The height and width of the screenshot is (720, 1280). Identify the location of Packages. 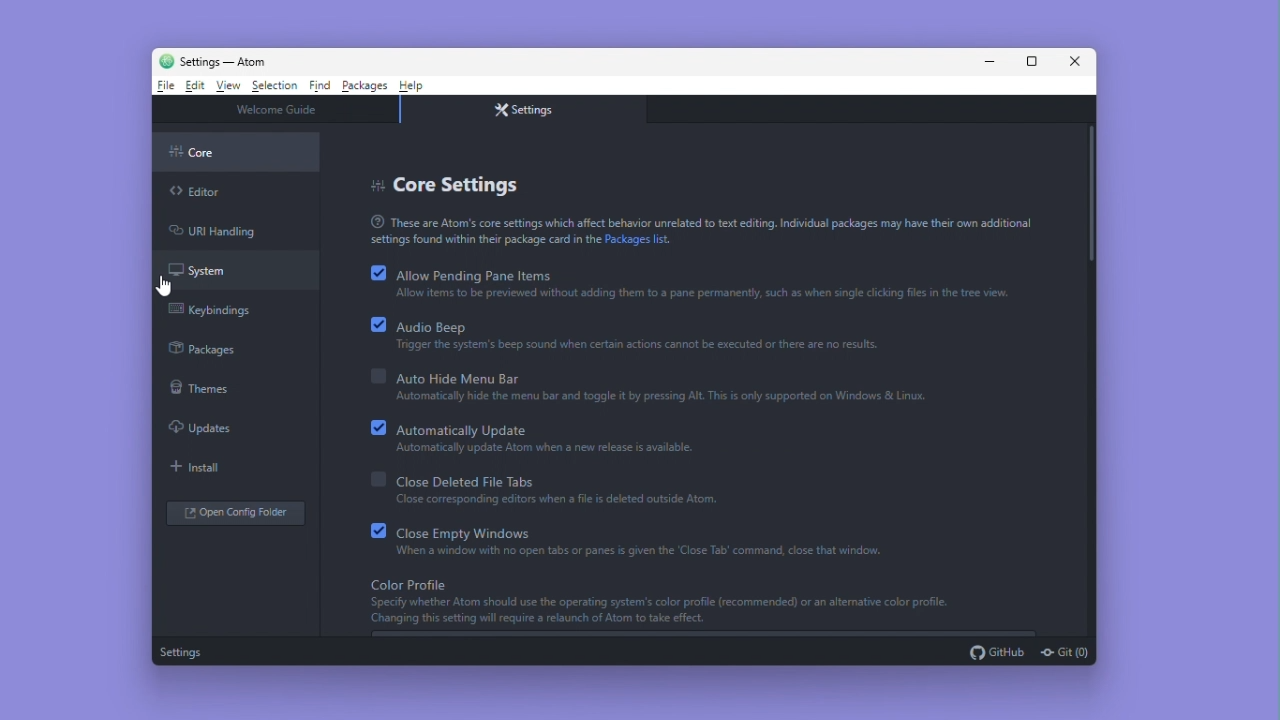
(206, 350).